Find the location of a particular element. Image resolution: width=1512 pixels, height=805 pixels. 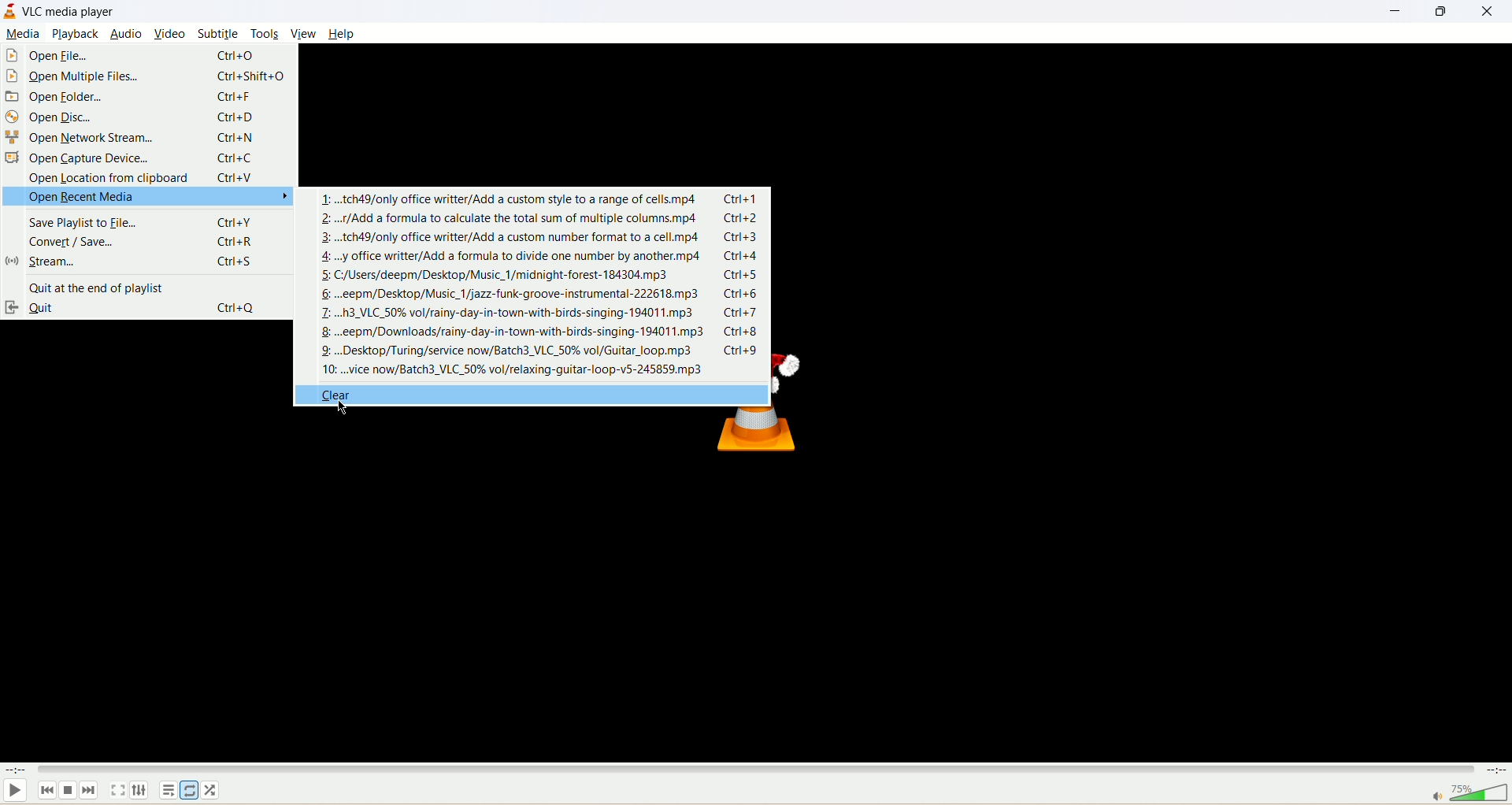

ctrl+V is located at coordinates (238, 178).